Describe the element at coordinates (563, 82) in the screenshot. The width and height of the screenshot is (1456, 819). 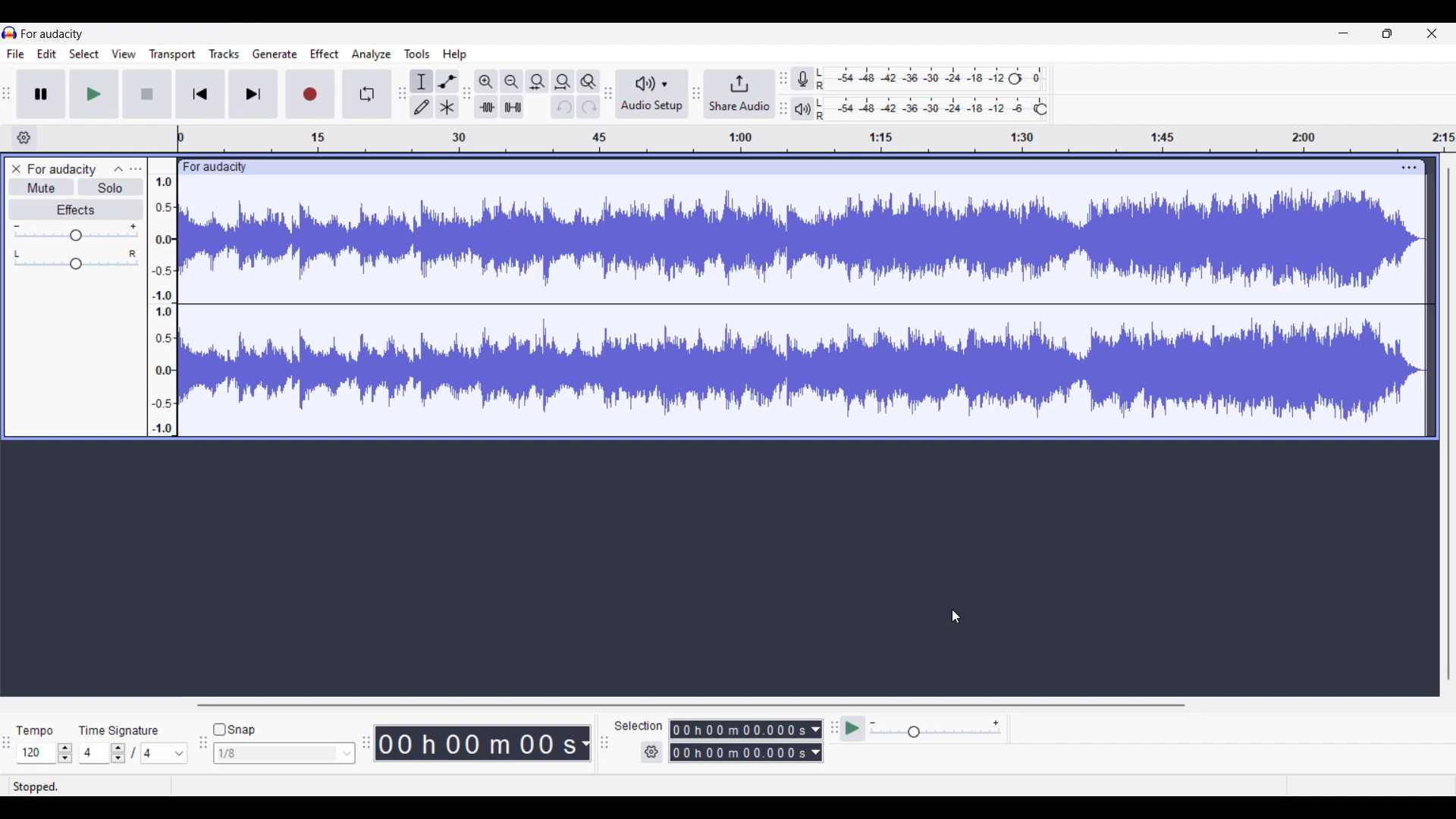
I see `Fit project to width` at that location.